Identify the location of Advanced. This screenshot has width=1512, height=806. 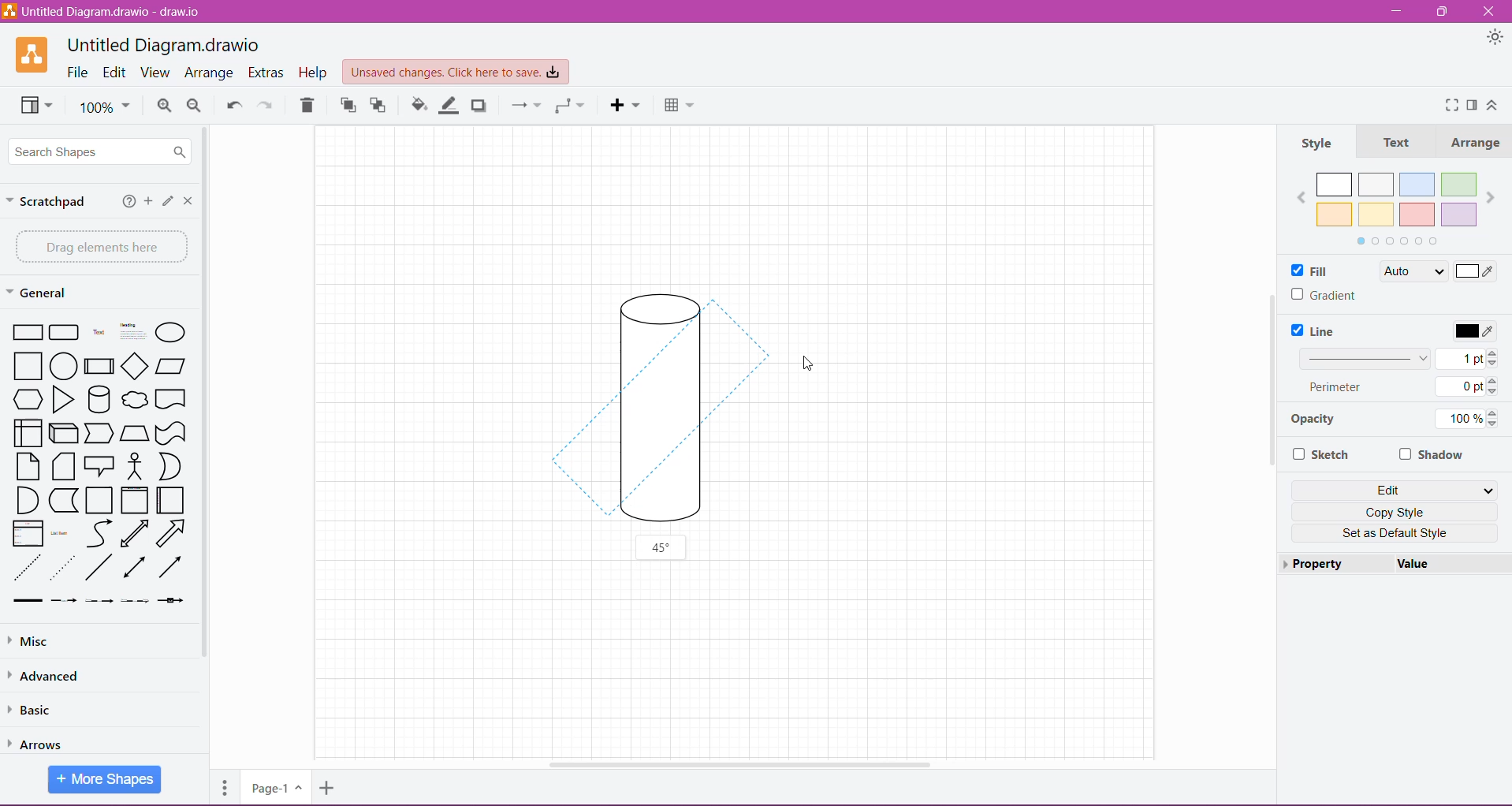
(50, 675).